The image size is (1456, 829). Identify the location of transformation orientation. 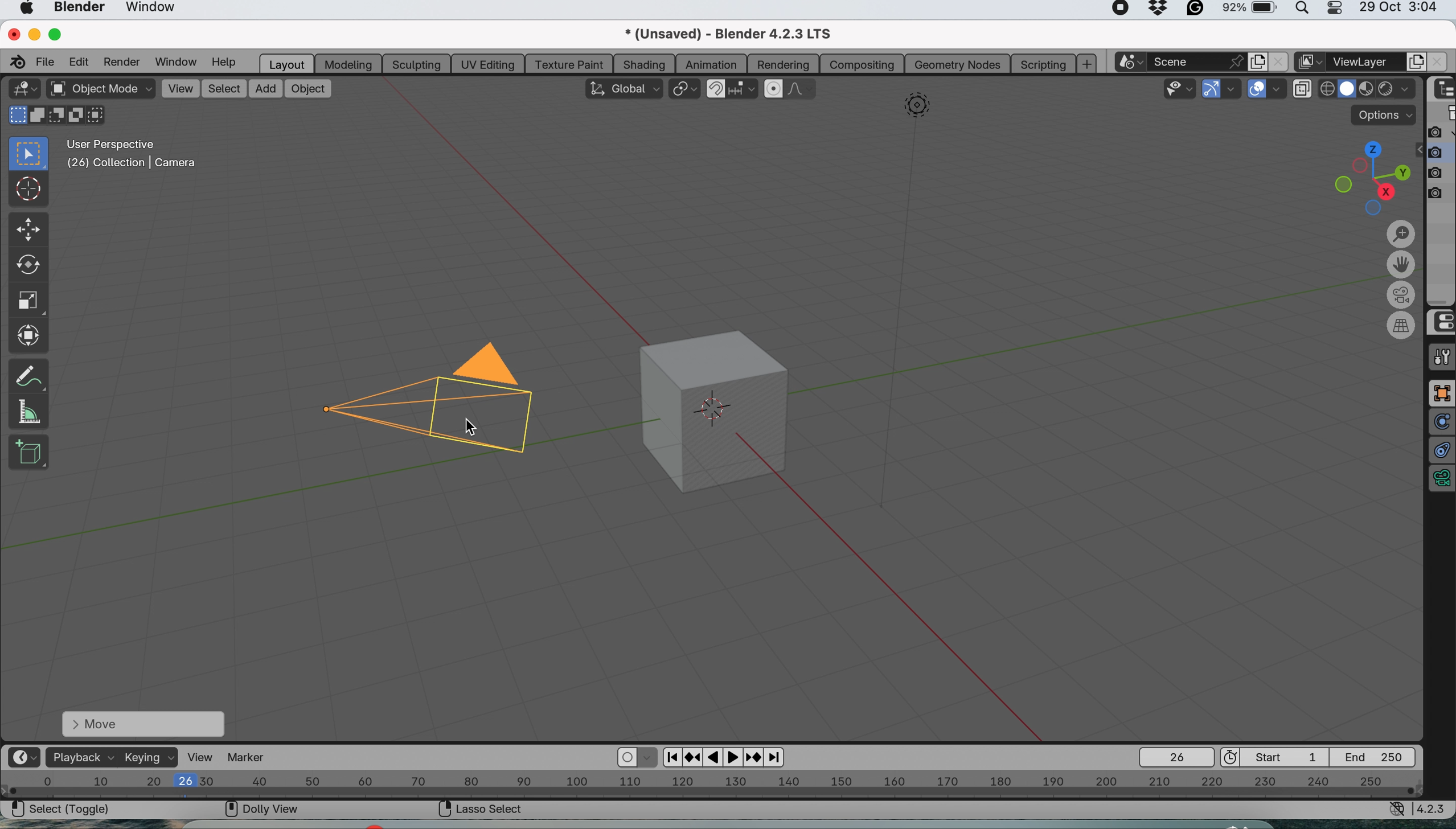
(622, 88).